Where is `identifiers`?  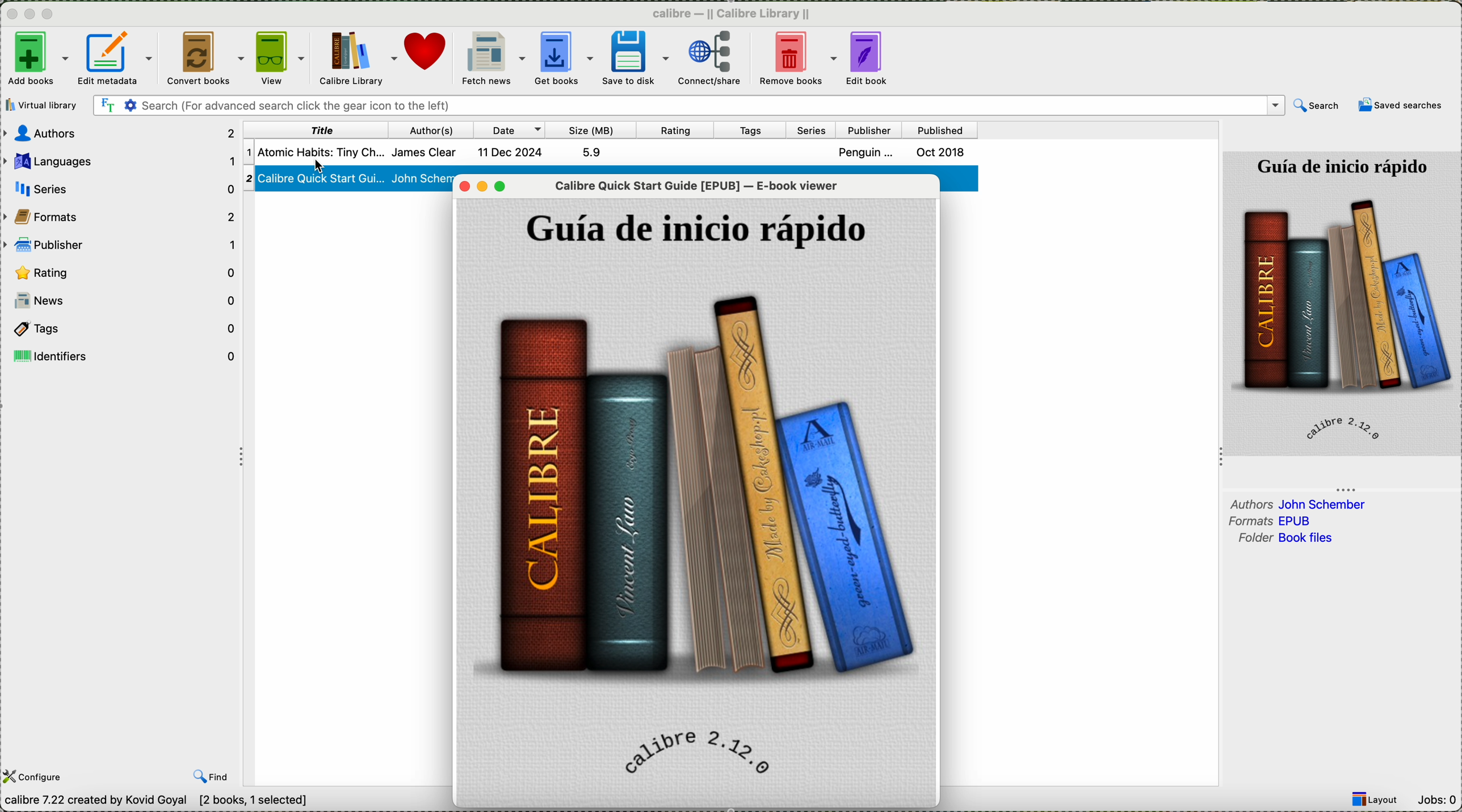 identifiers is located at coordinates (124, 357).